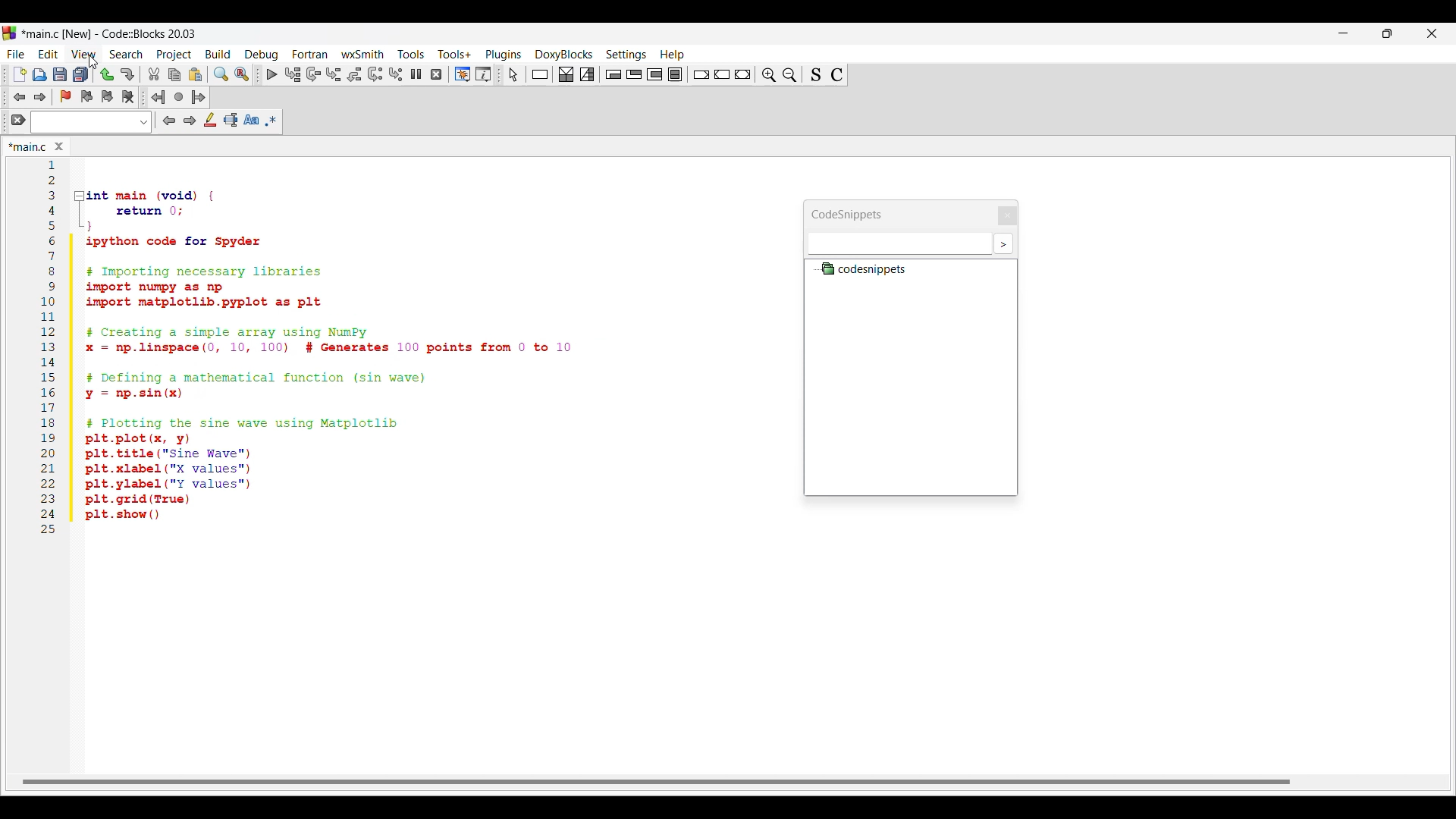 This screenshot has width=1456, height=819. What do you see at coordinates (39, 75) in the screenshot?
I see `Open` at bounding box center [39, 75].